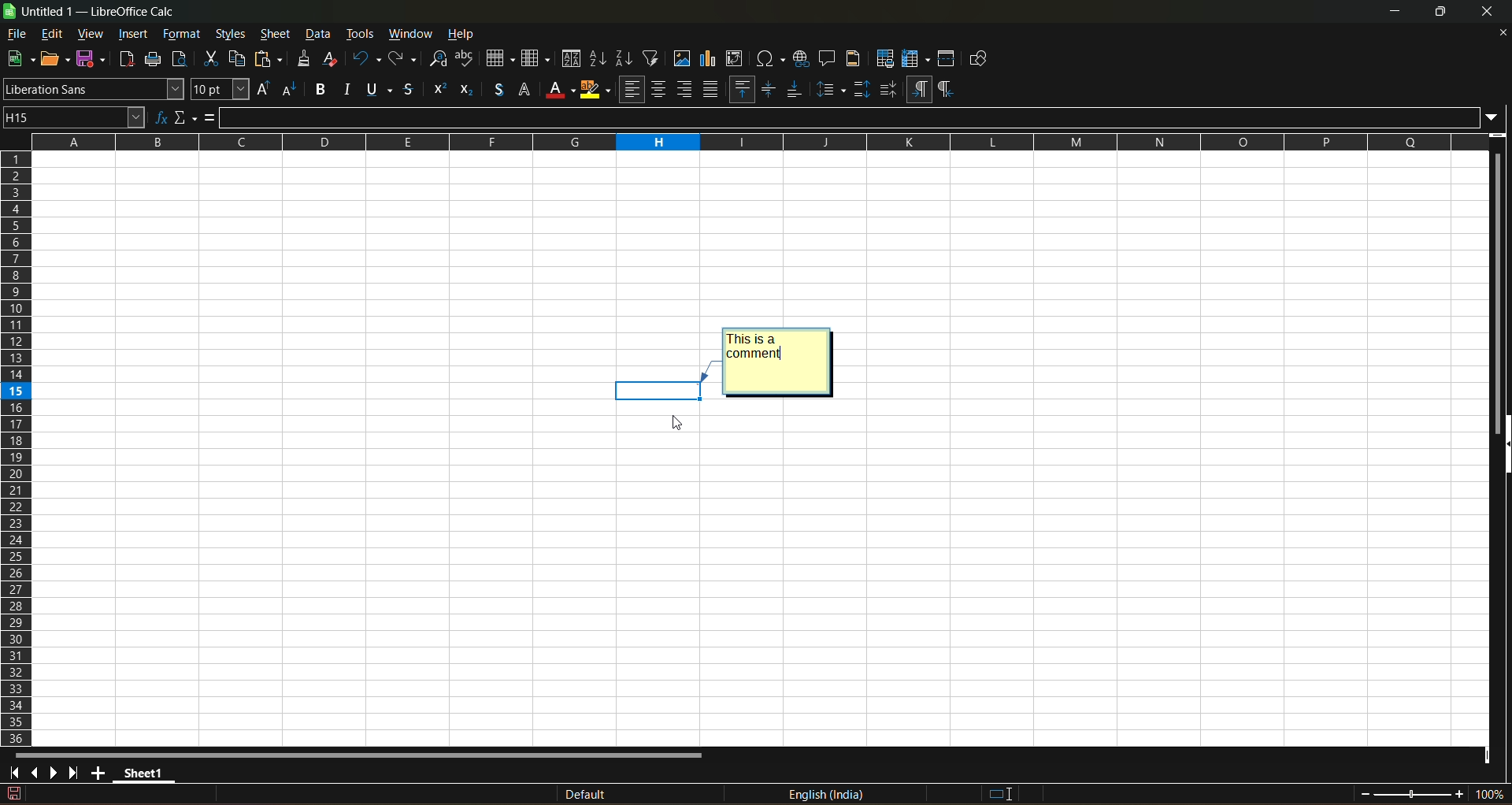 The height and width of the screenshot is (805, 1512). Describe the element at coordinates (1400, 13) in the screenshot. I see `minimize` at that location.